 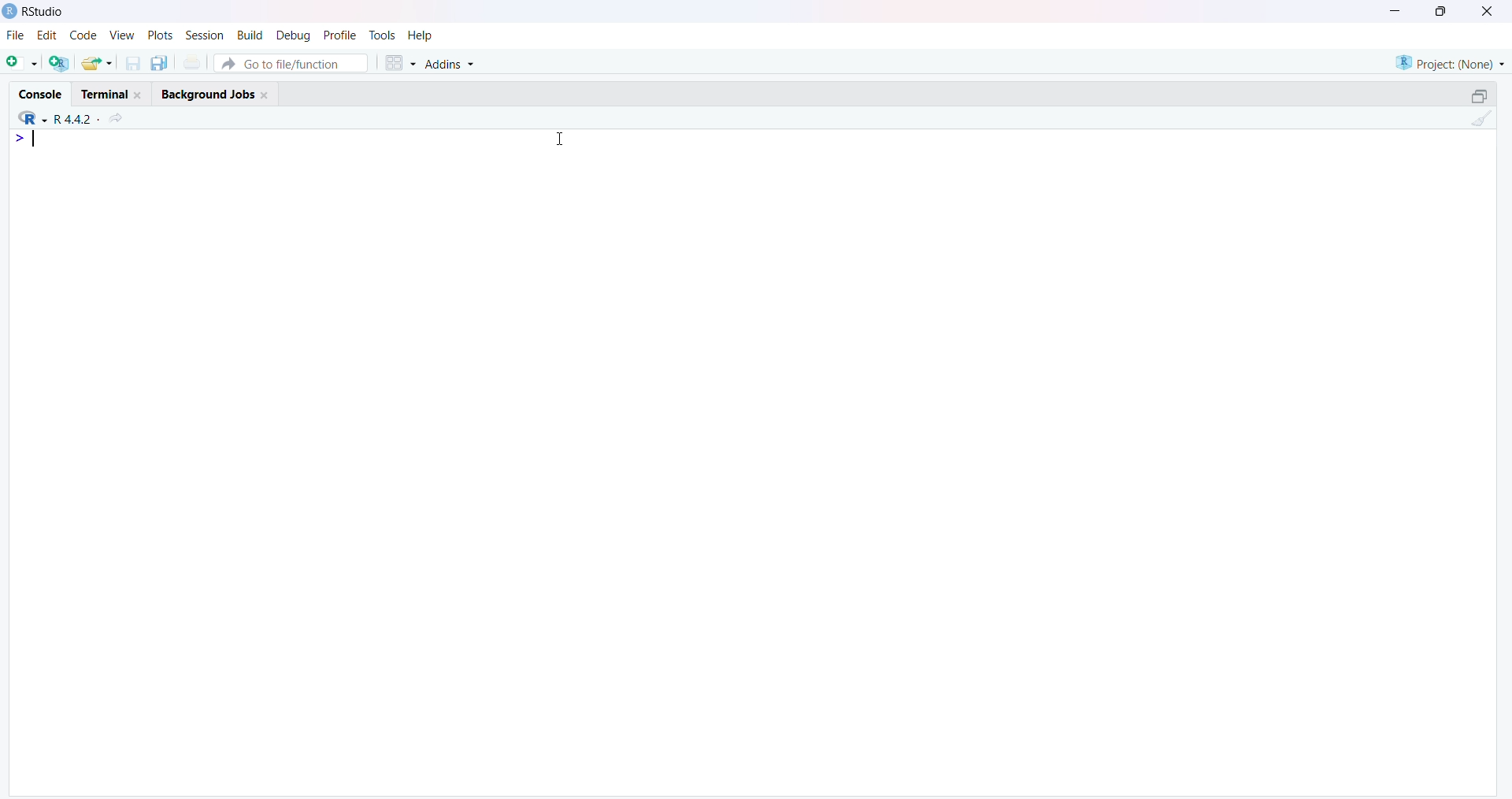 I want to click on Close, so click(x=1484, y=14).